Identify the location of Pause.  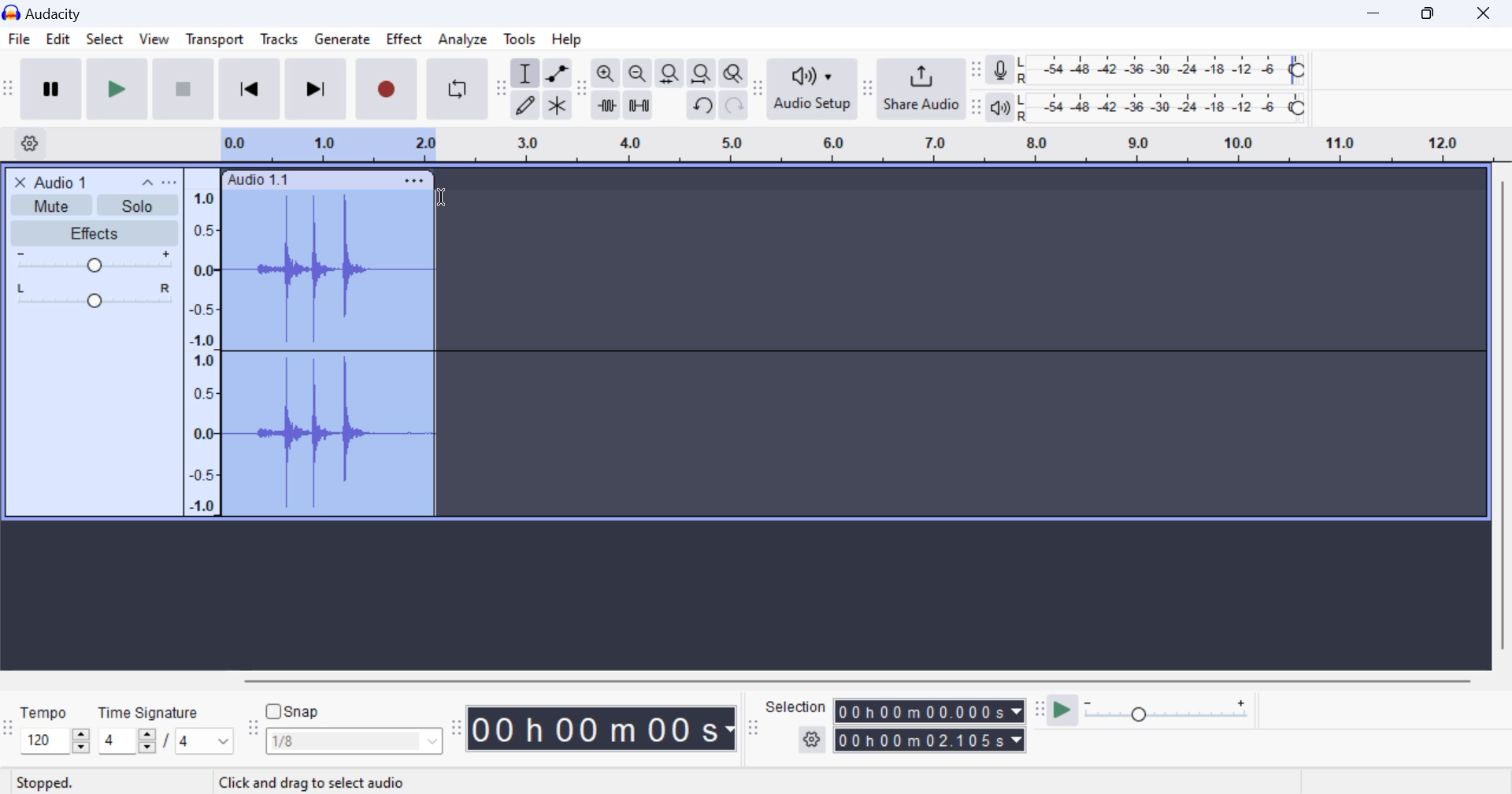
(50, 89).